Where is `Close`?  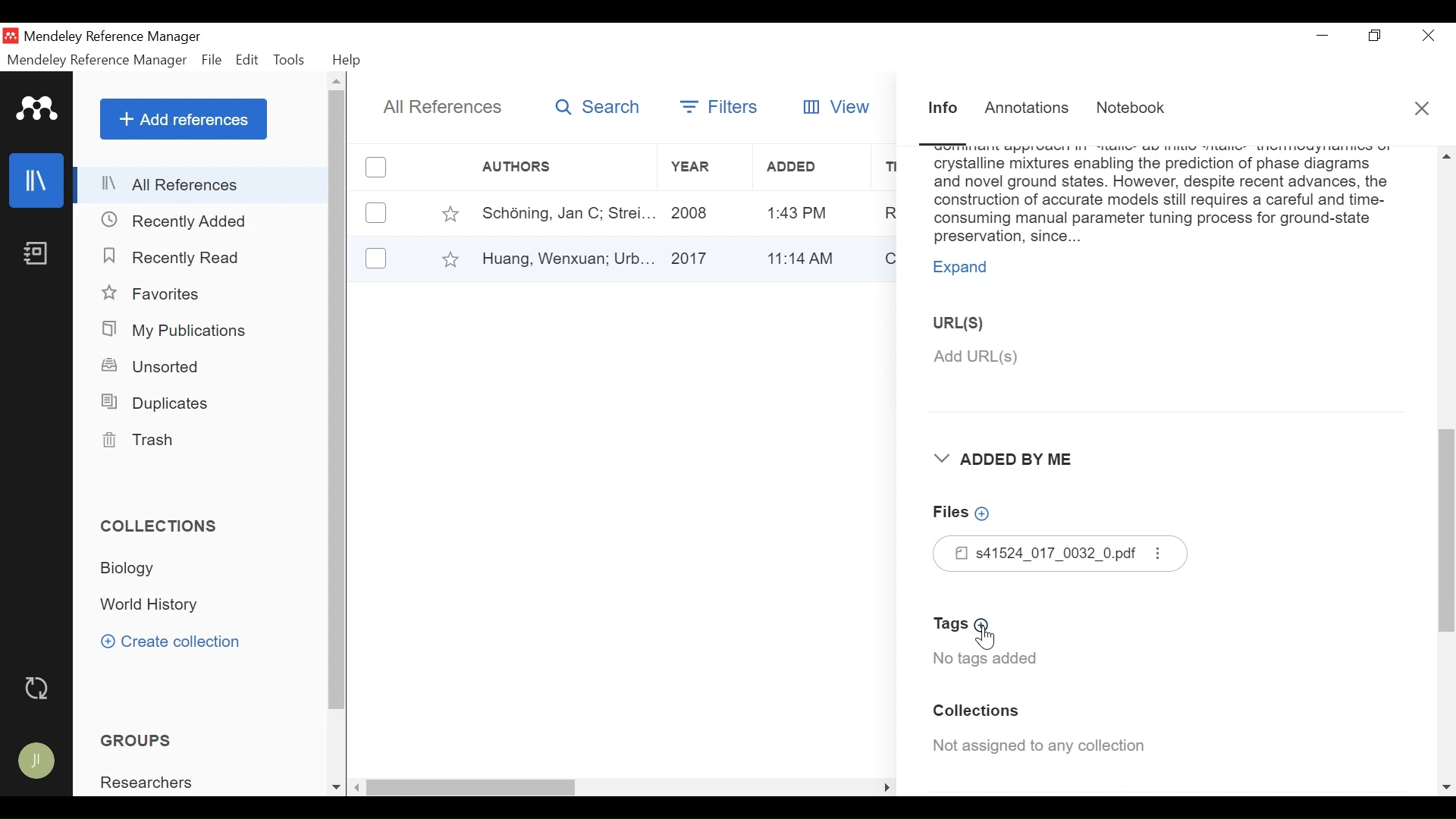 Close is located at coordinates (1423, 109).